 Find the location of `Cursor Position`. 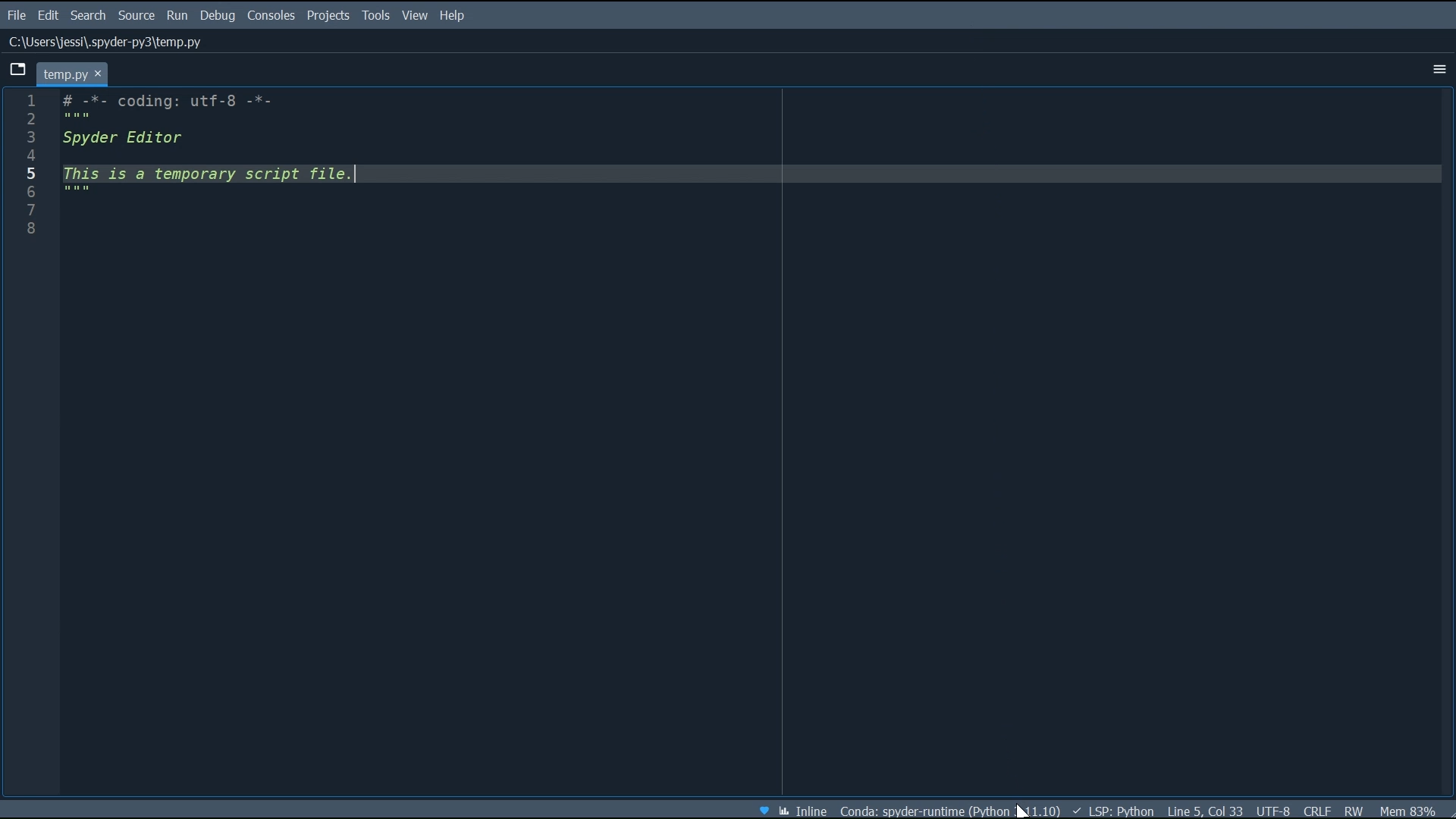

Cursor Position is located at coordinates (1203, 809).